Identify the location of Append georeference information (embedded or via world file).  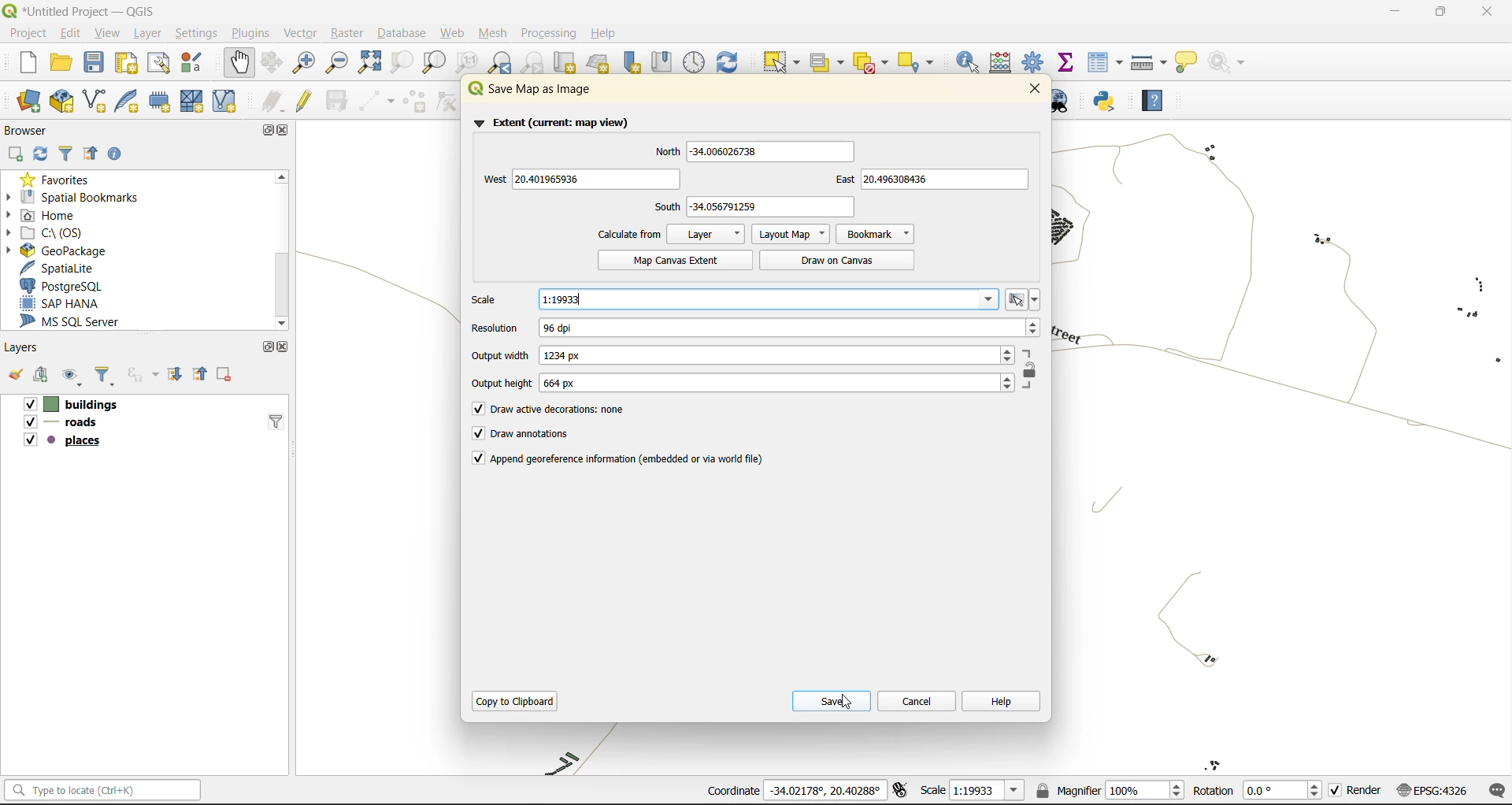
(621, 459).